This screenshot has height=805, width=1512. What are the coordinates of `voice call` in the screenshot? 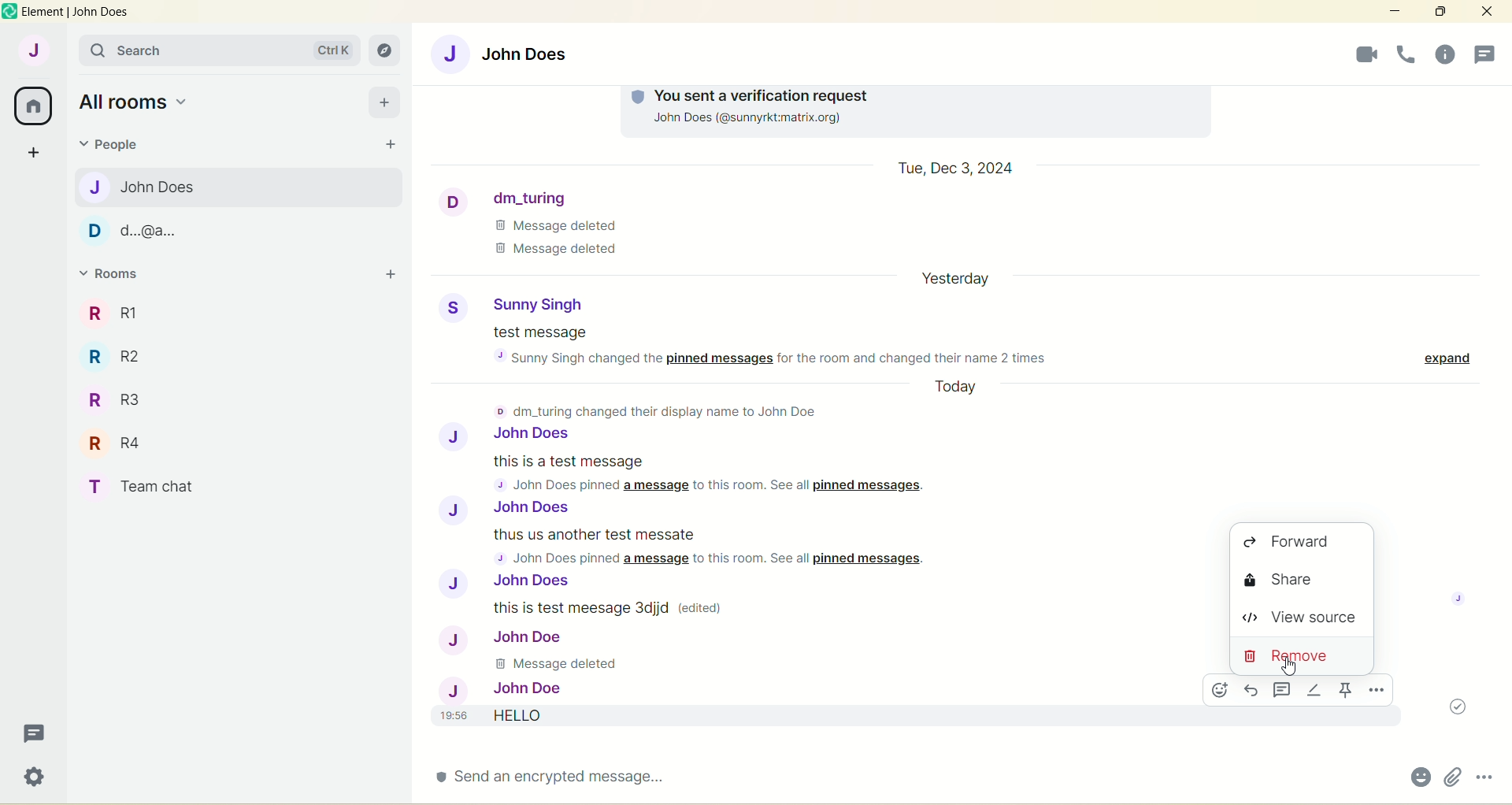 It's located at (1358, 54).